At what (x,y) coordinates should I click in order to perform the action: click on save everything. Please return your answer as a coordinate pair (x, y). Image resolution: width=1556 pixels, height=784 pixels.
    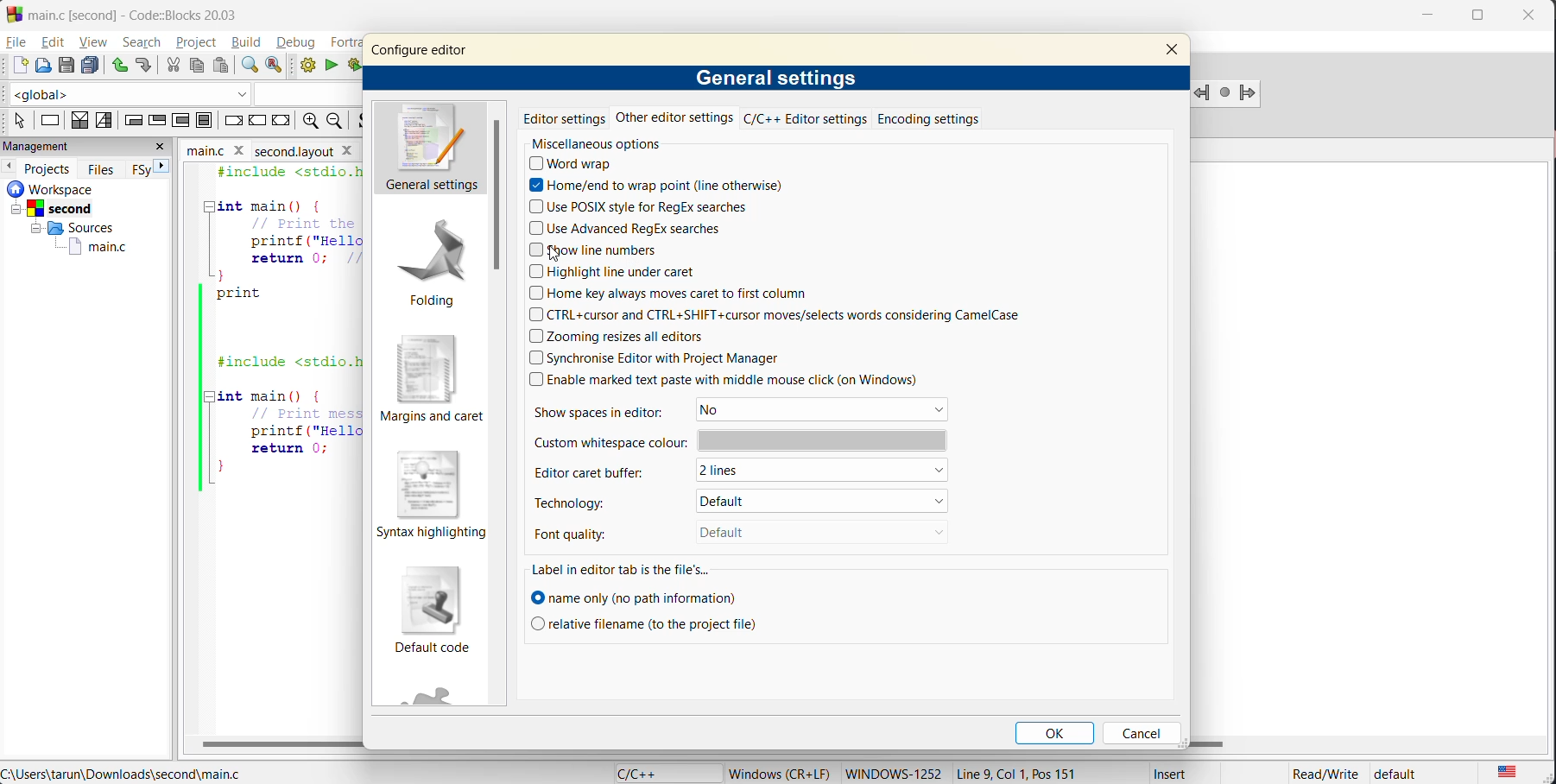
    Looking at the image, I should click on (92, 66).